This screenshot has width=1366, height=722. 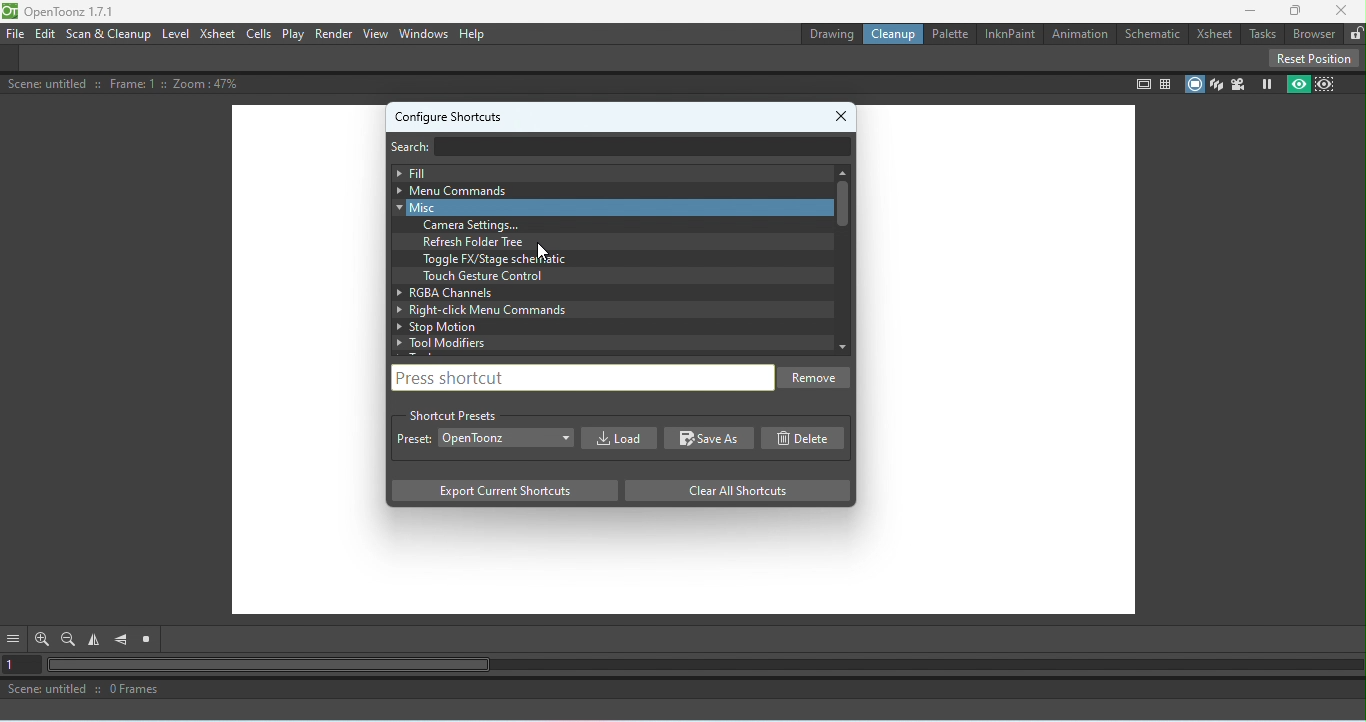 What do you see at coordinates (176, 34) in the screenshot?
I see `Level` at bounding box center [176, 34].